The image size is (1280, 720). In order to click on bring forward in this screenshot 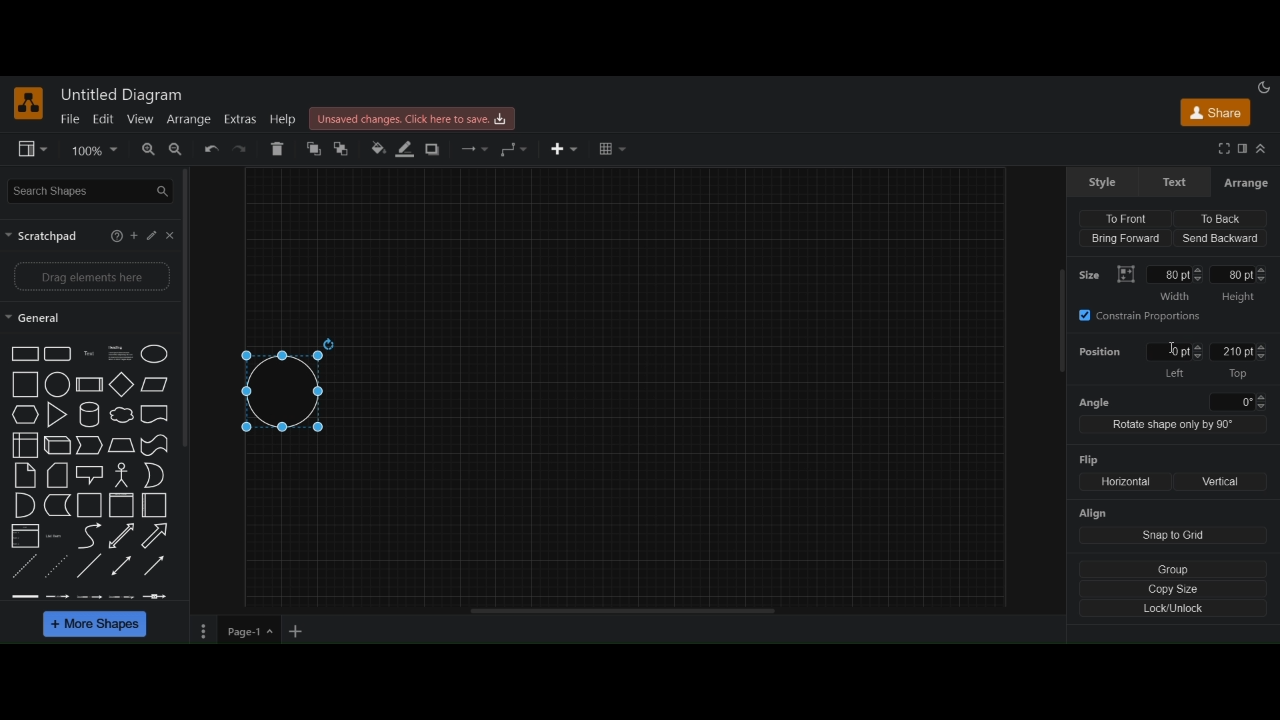, I will do `click(1124, 240)`.